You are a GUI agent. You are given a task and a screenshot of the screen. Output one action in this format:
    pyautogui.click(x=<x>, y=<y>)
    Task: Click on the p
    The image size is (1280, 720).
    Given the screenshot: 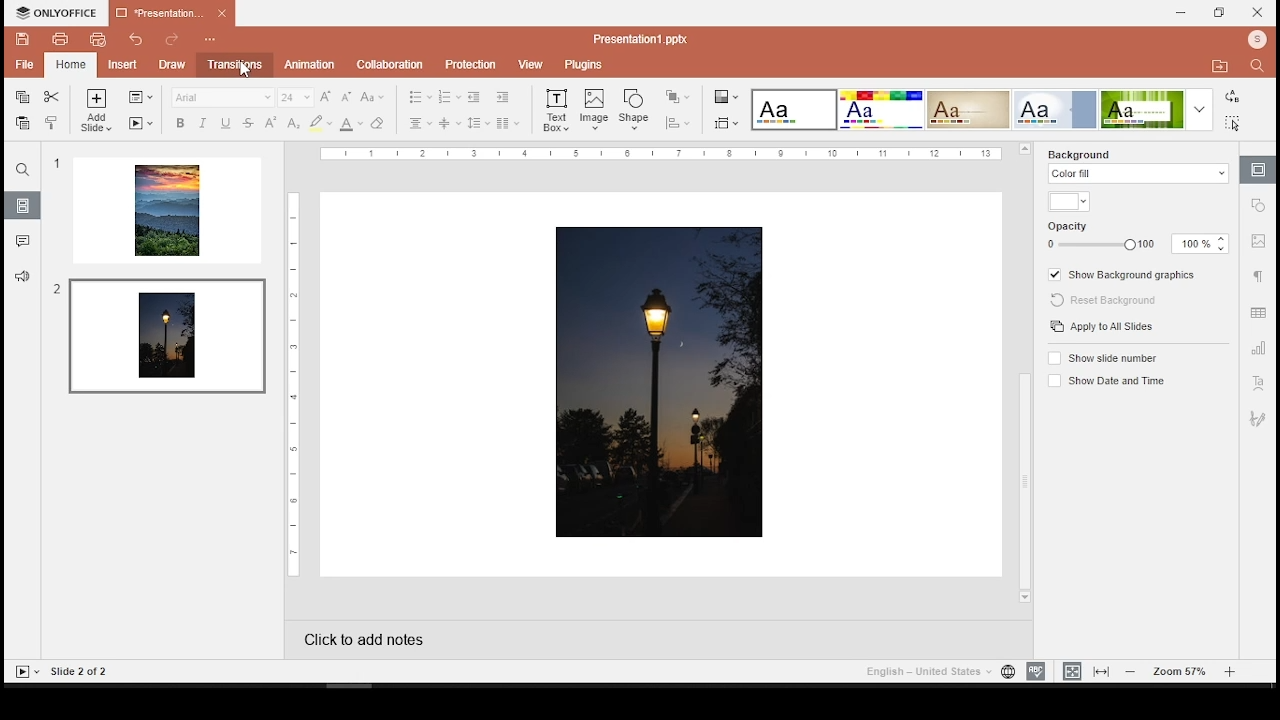 What is the action you would take?
    pyautogui.click(x=468, y=62)
    